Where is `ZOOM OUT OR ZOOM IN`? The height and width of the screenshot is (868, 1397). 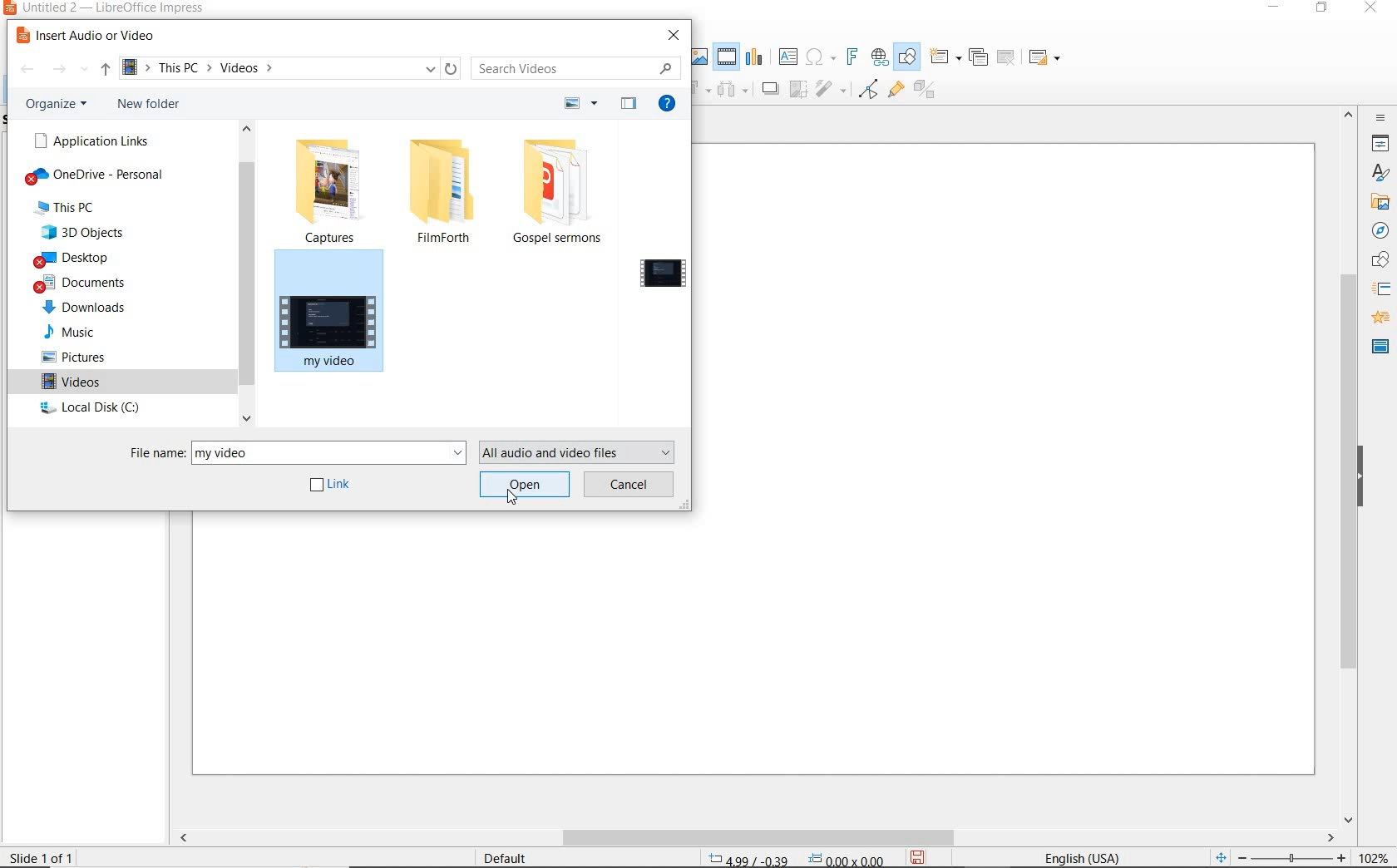
ZOOM OUT OR ZOOM IN is located at coordinates (1278, 856).